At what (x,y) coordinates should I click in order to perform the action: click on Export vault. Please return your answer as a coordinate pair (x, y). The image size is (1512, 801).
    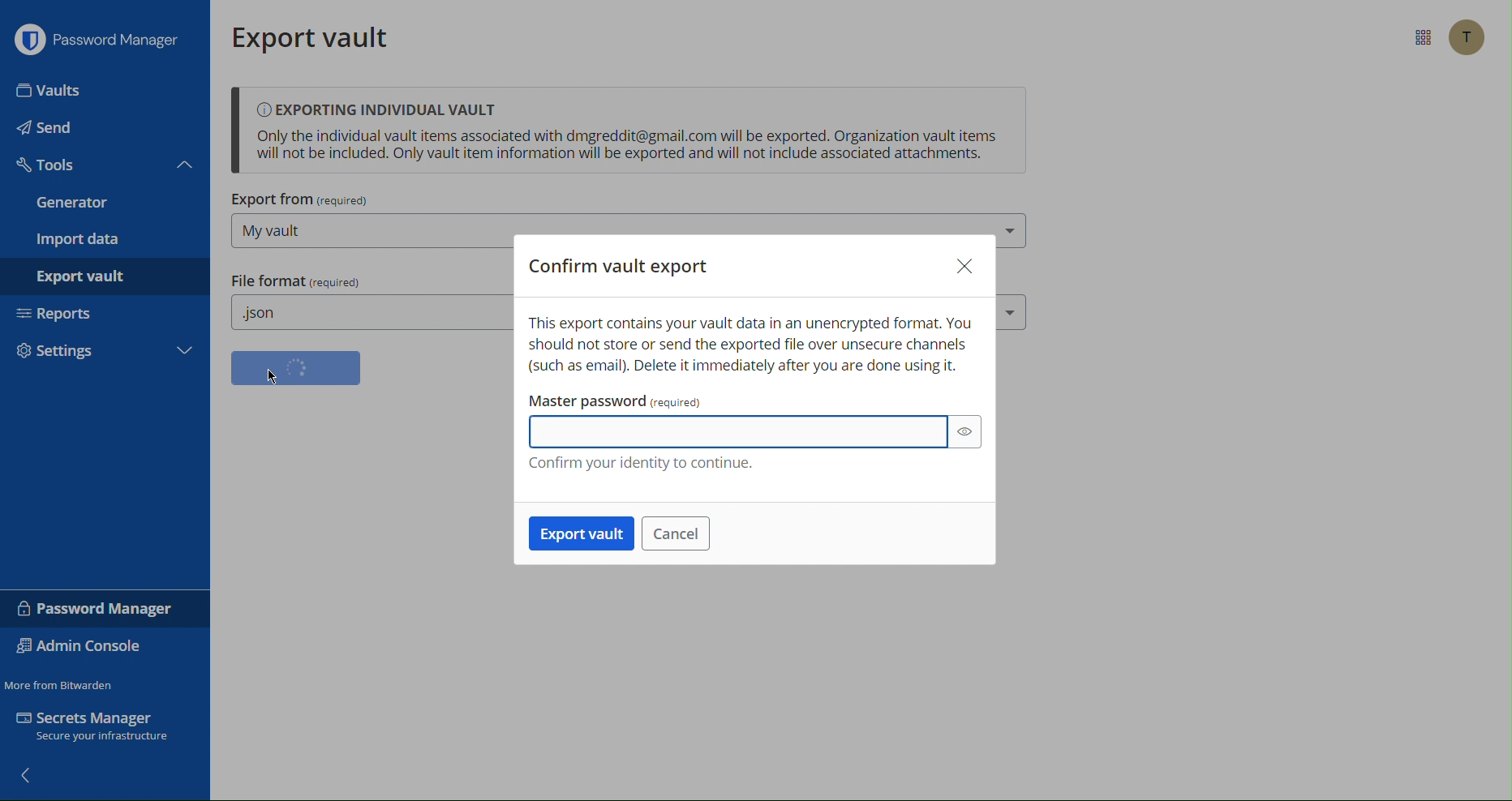
    Looking at the image, I should click on (578, 535).